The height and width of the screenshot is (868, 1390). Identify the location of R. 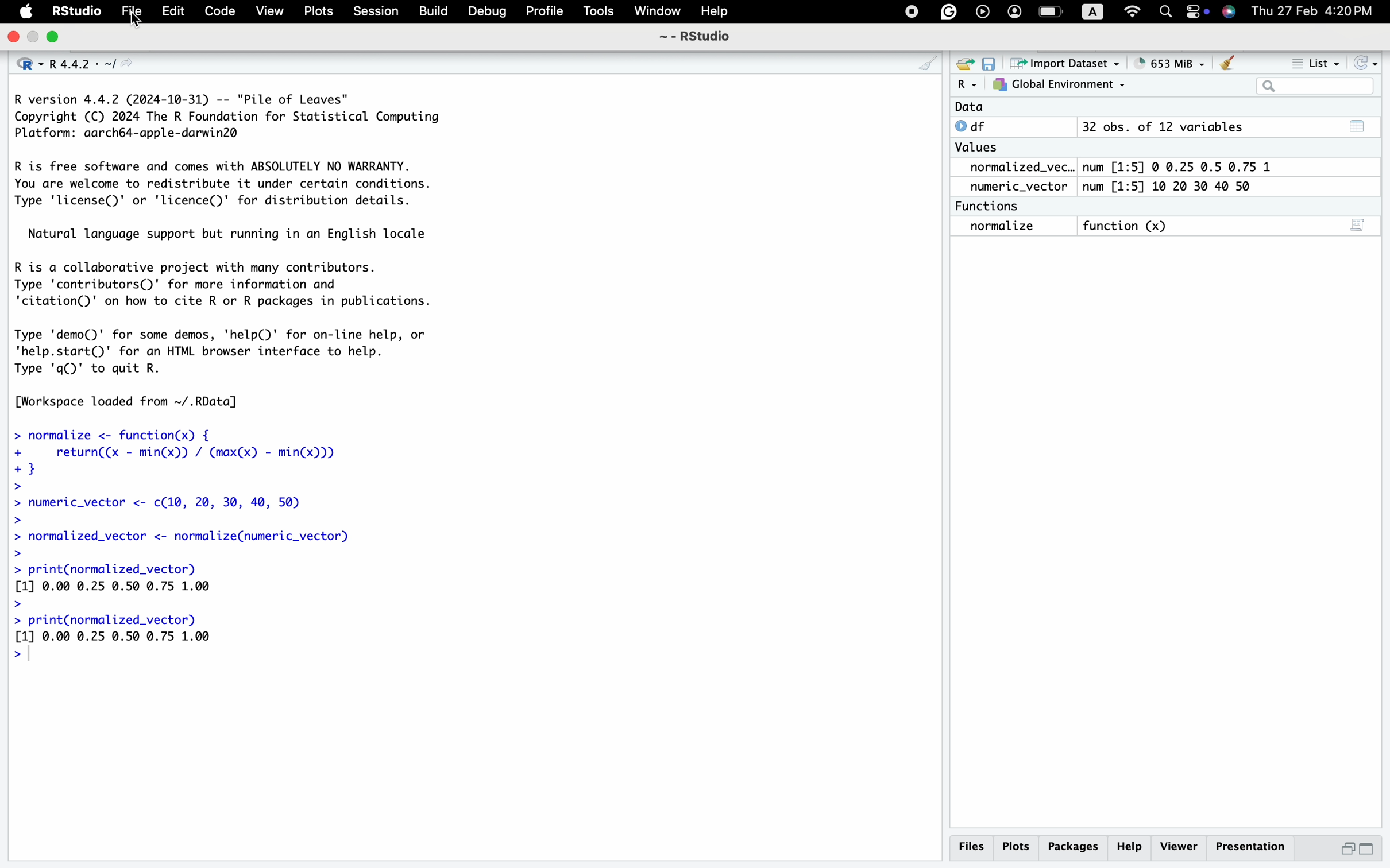
(967, 85).